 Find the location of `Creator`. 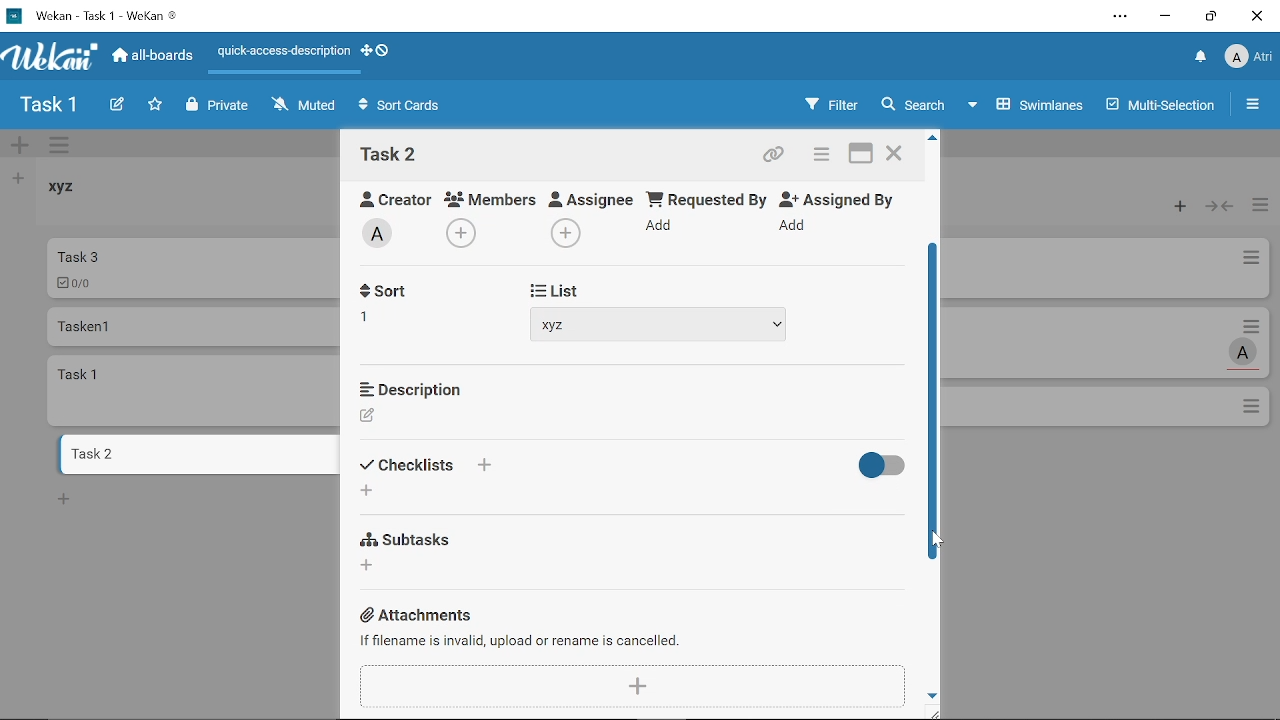

Creator is located at coordinates (368, 416).